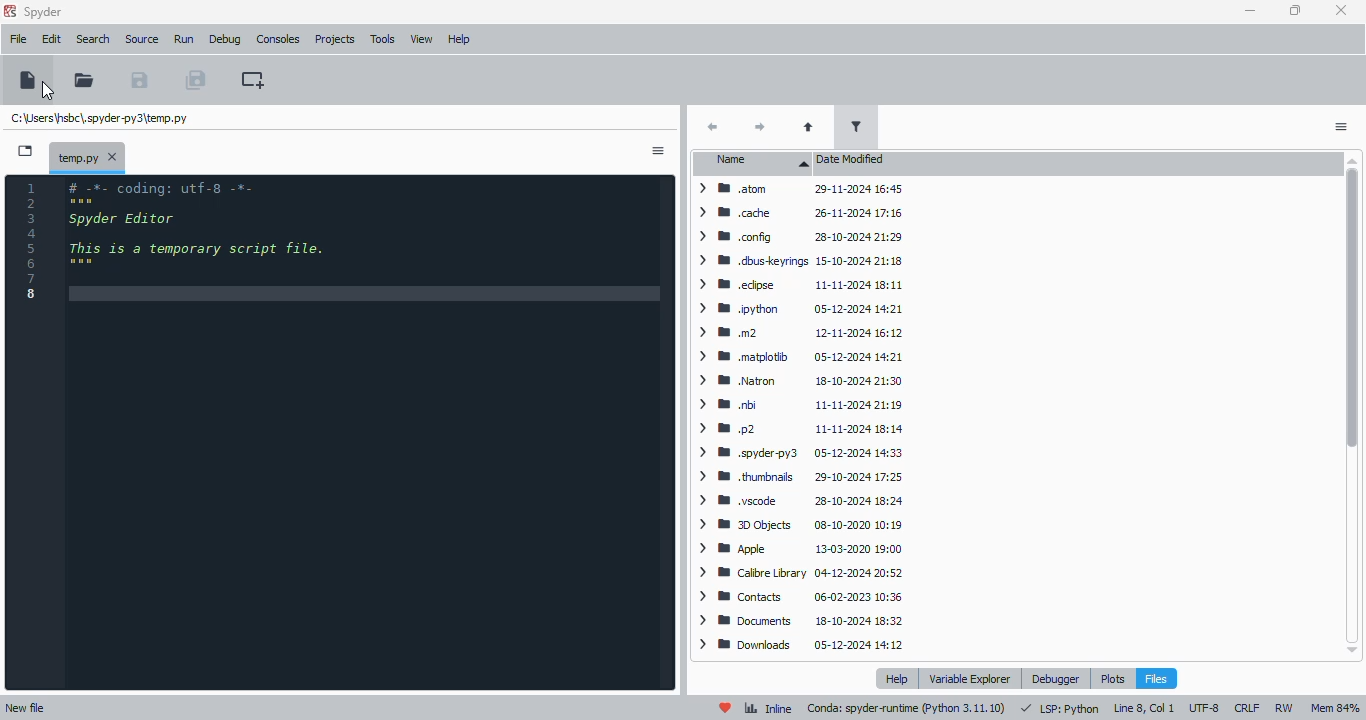  Describe the element at coordinates (795, 597) in the screenshot. I see `> BB Contacts 06-02-2023 10:36` at that location.